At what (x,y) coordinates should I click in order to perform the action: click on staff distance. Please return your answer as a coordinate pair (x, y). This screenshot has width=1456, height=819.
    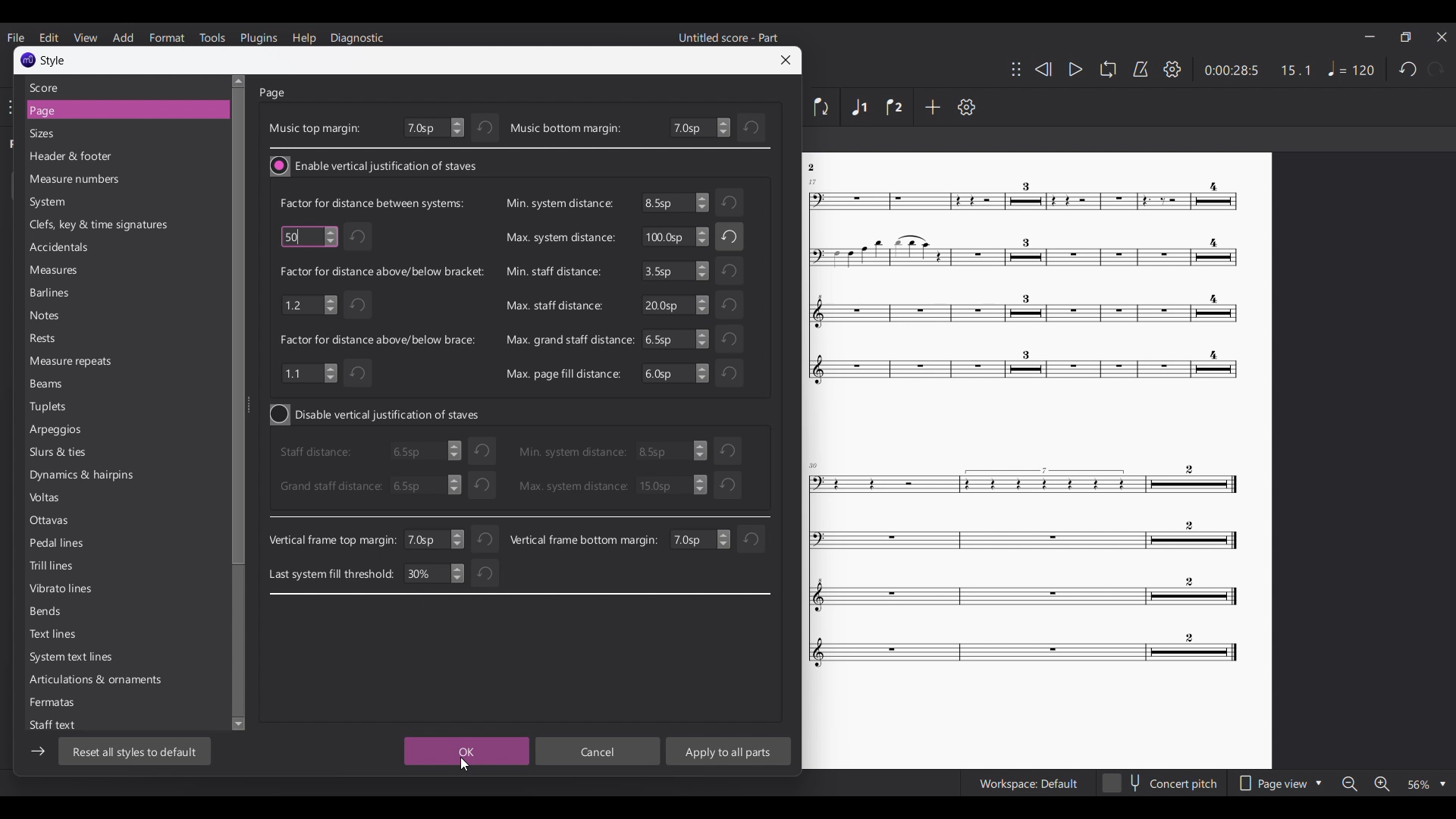
    Looking at the image, I should click on (319, 453).